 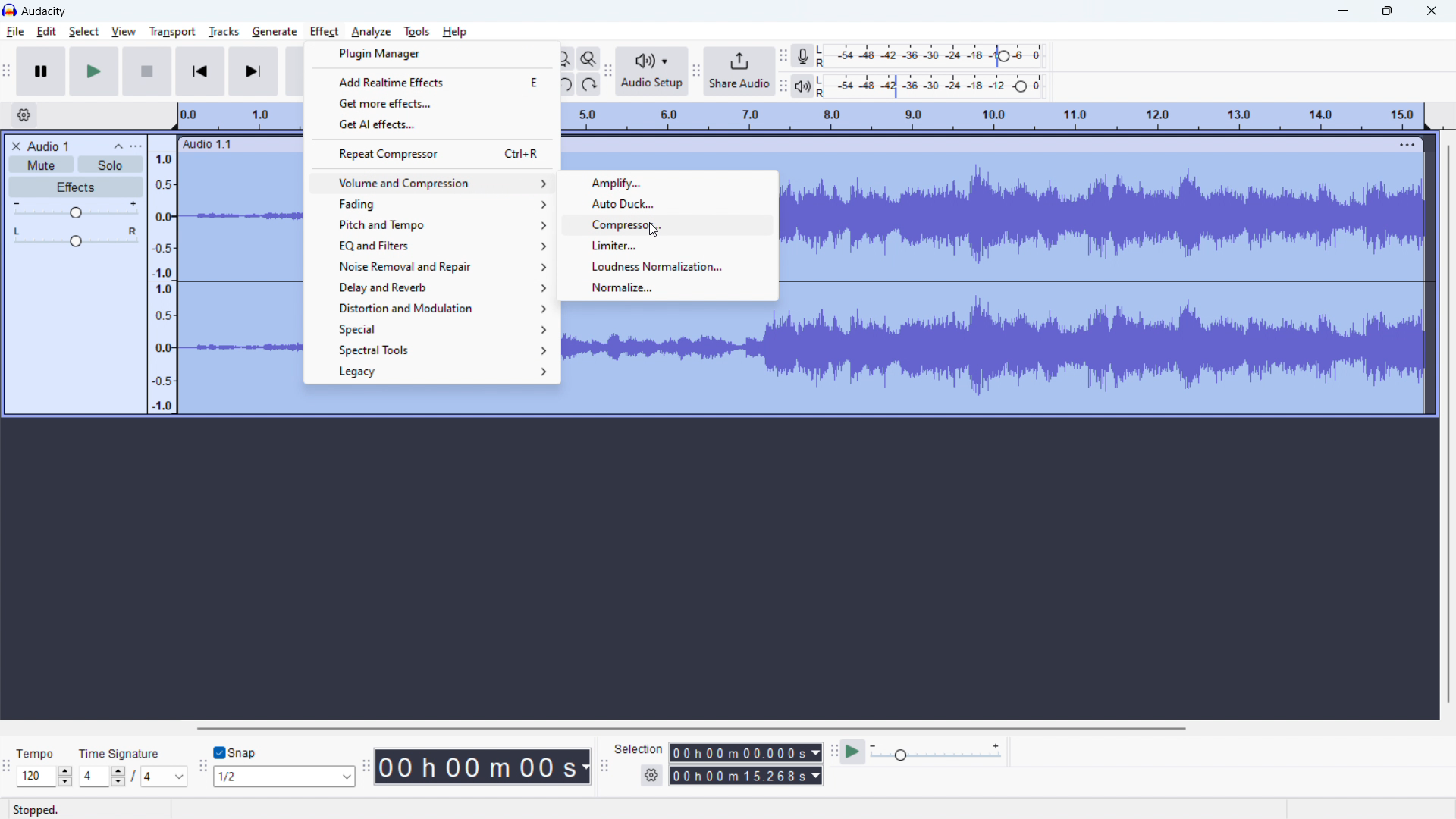 I want to click on record level, so click(x=943, y=56).